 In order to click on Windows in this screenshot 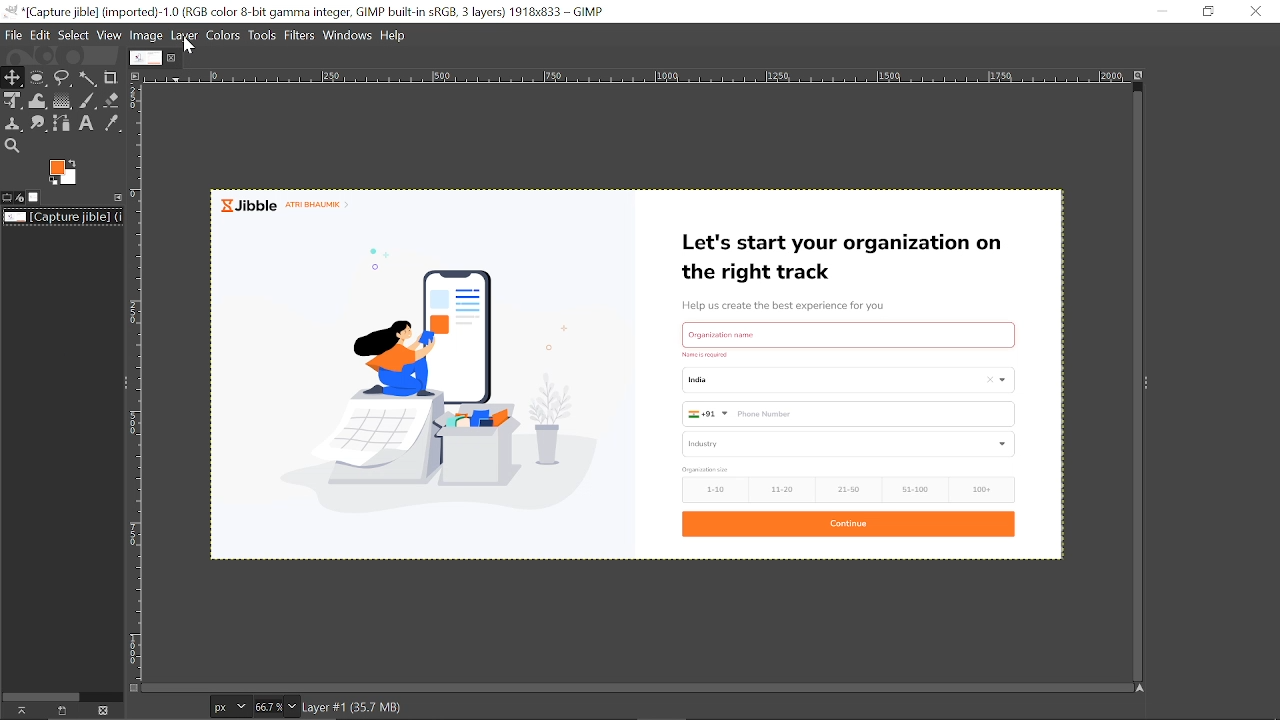, I will do `click(349, 34)`.